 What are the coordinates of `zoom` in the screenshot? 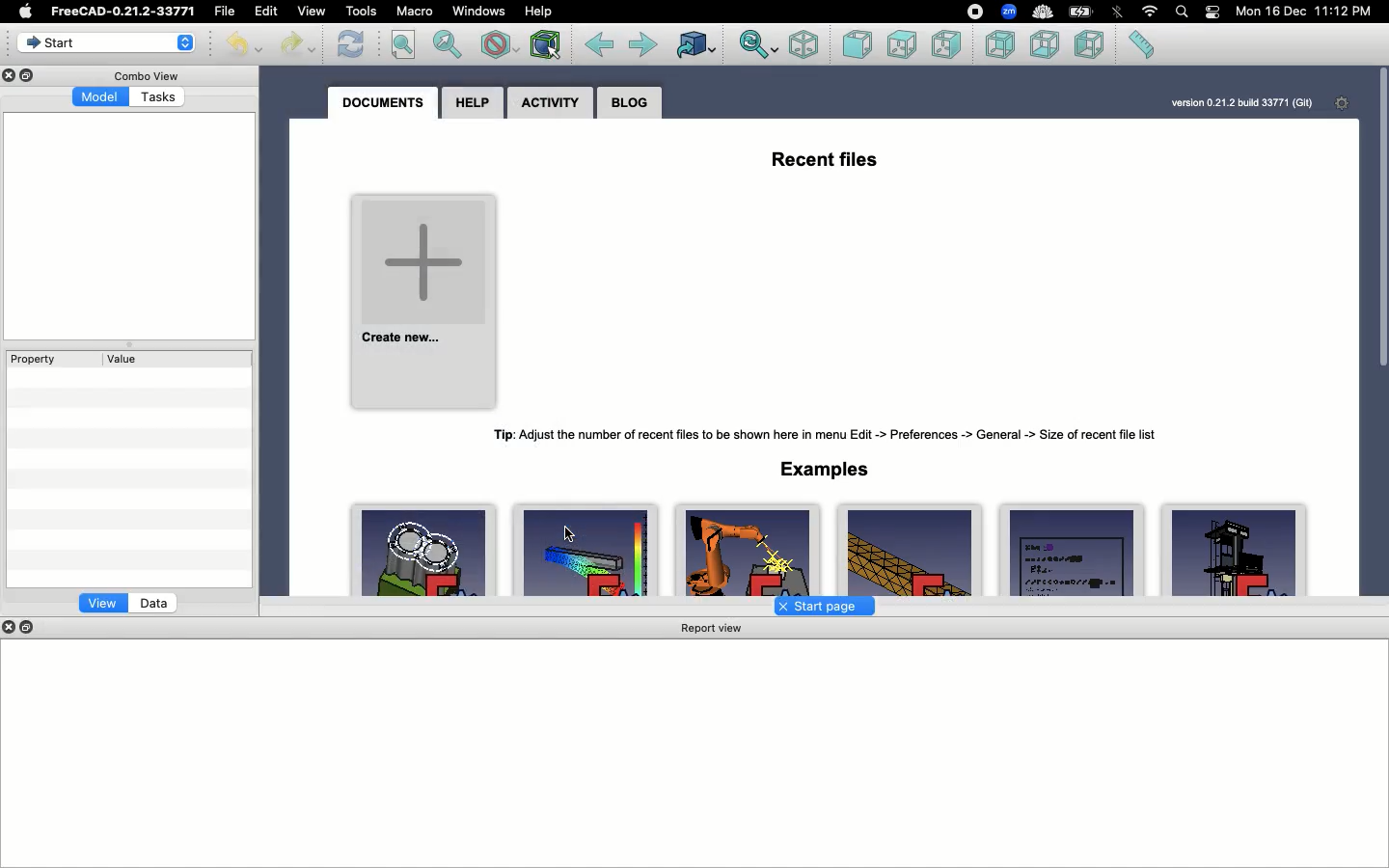 It's located at (1009, 12).